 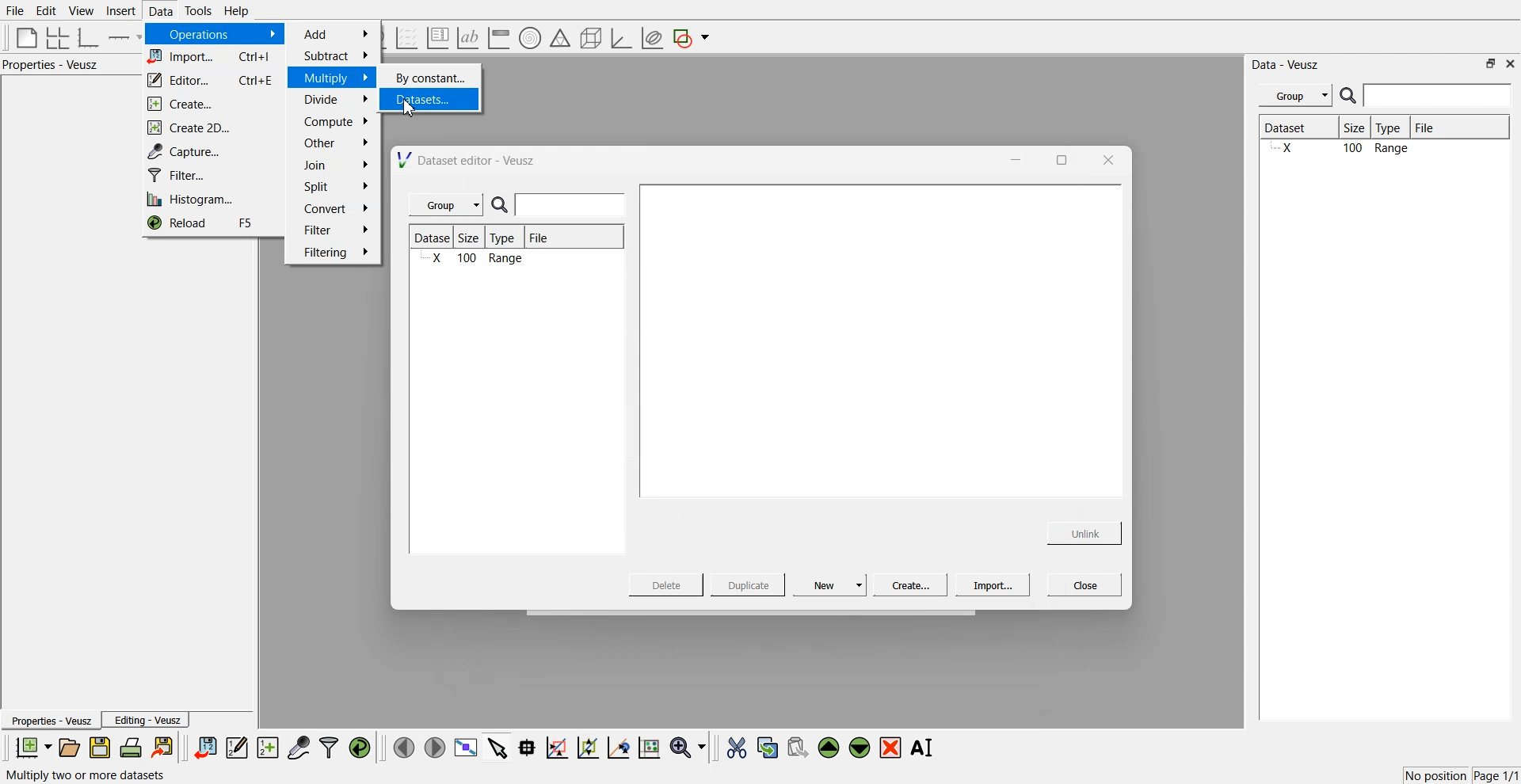 What do you see at coordinates (147, 720) in the screenshot?
I see `Editing - Veusz` at bounding box center [147, 720].